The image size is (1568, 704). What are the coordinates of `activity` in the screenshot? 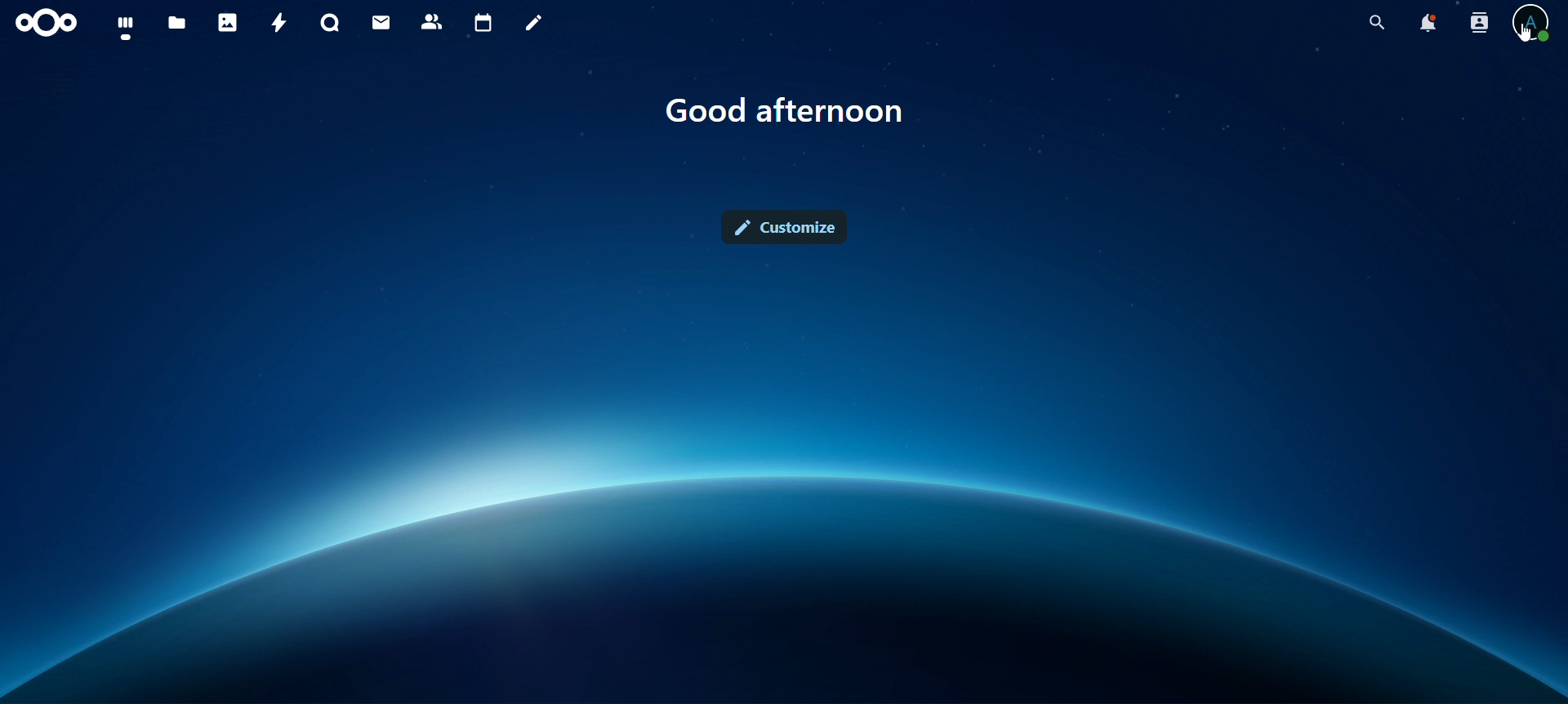 It's located at (281, 25).